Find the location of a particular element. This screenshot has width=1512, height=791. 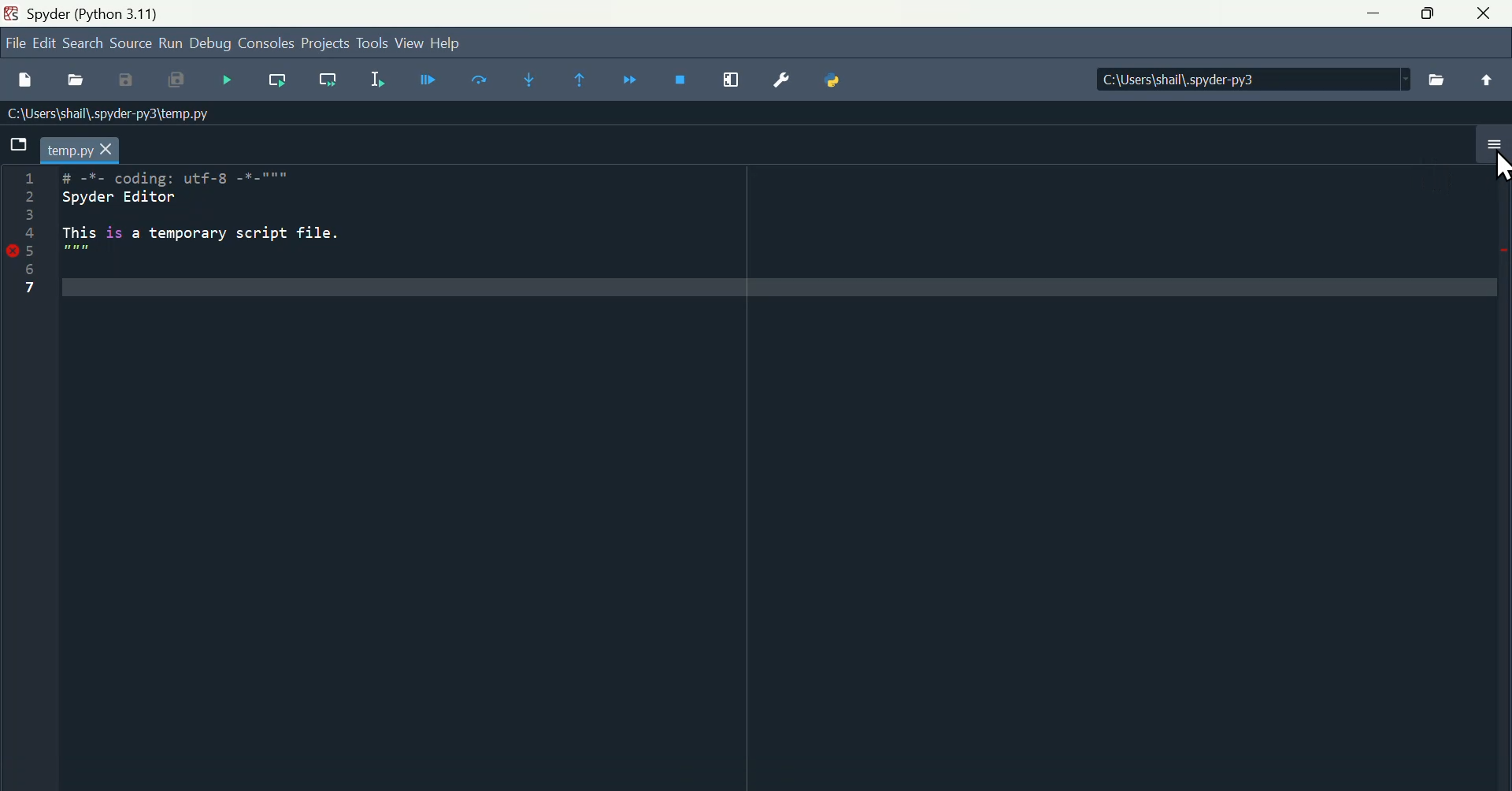

New file is located at coordinates (25, 79).